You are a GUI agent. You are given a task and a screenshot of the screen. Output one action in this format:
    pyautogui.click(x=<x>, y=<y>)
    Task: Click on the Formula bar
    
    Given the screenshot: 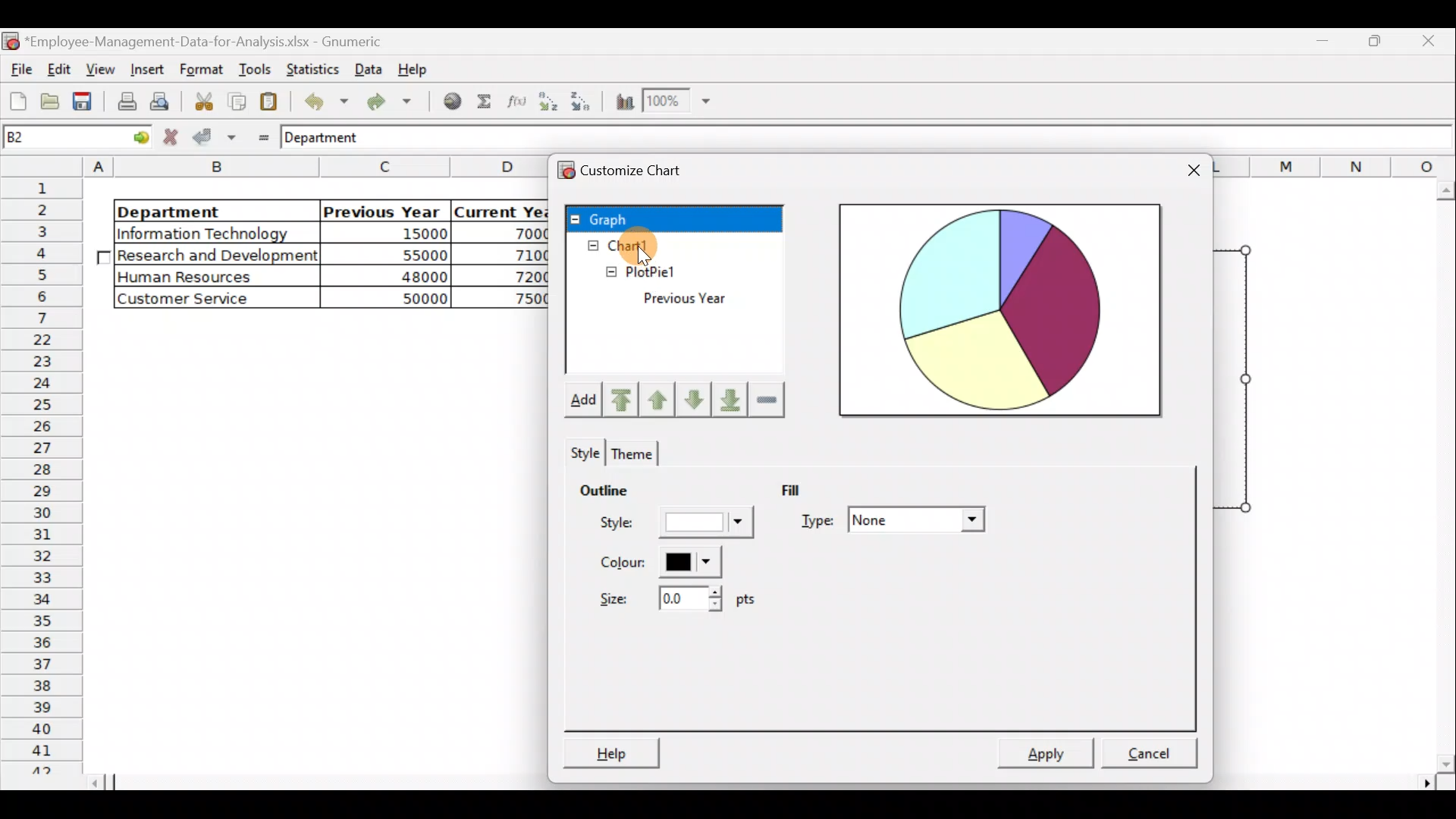 What is the action you would take?
    pyautogui.click(x=926, y=141)
    